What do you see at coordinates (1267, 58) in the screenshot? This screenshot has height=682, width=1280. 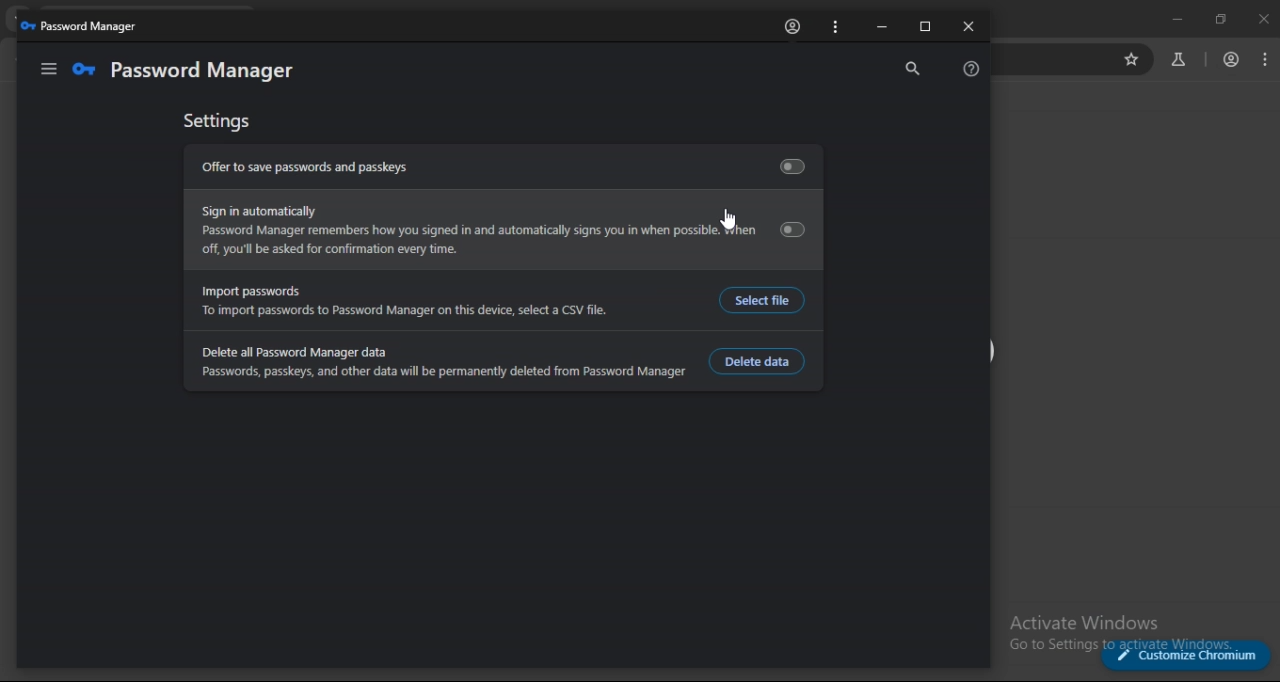 I see `menu` at bounding box center [1267, 58].